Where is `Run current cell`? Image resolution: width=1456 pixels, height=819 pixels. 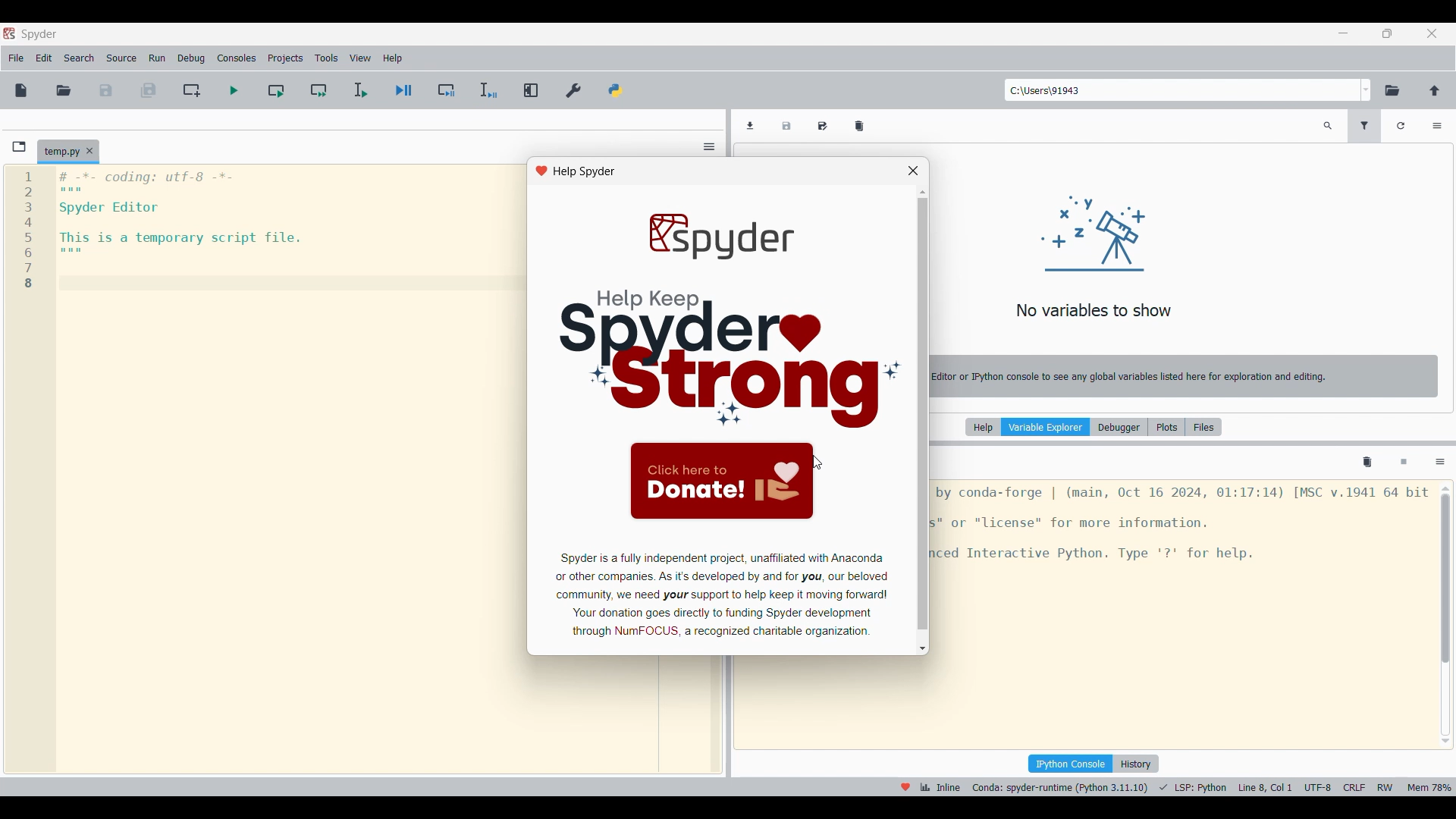 Run current cell is located at coordinates (275, 90).